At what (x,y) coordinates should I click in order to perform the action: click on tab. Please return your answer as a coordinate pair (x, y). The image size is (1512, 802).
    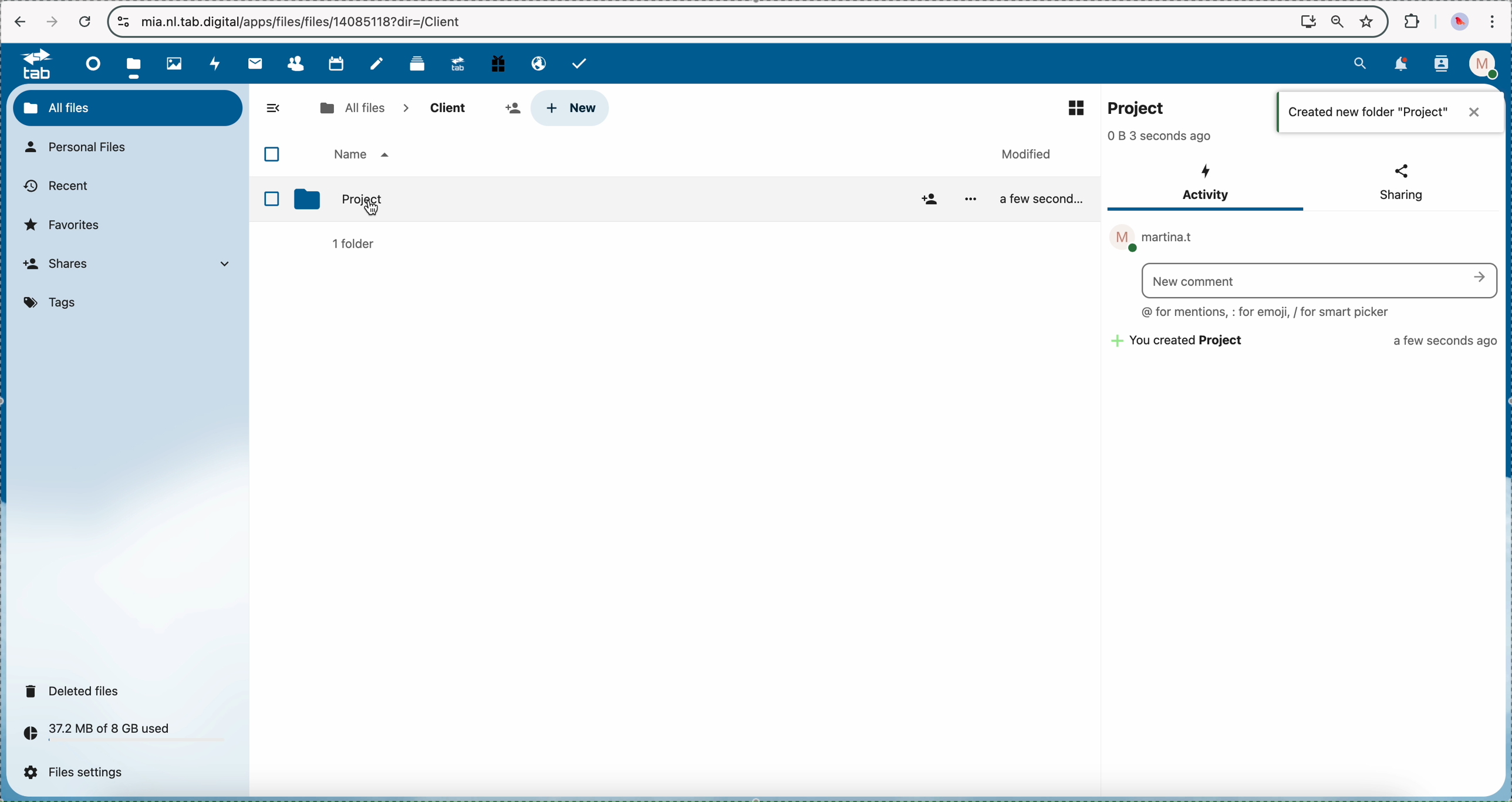
    Looking at the image, I should click on (31, 63).